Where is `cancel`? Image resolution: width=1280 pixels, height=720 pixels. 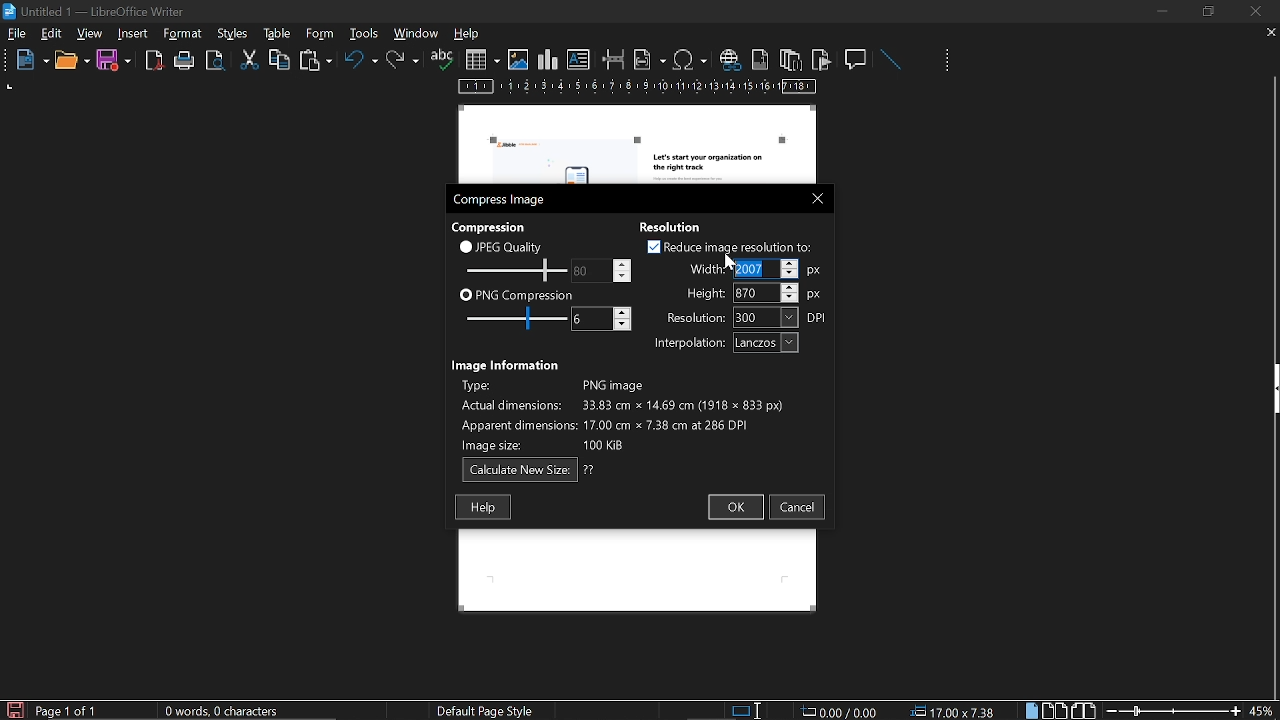 cancel is located at coordinates (798, 507).